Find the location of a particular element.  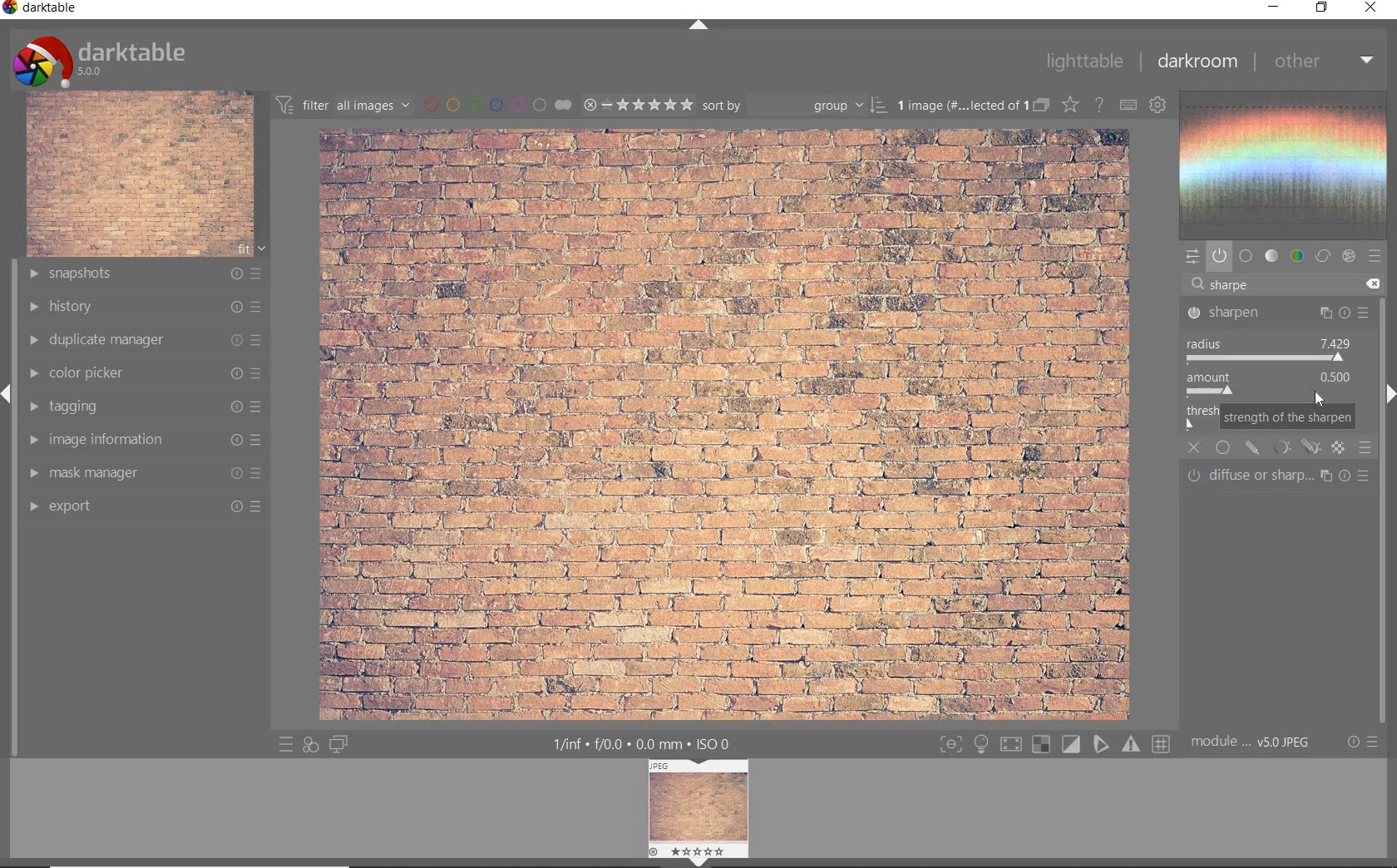

DIFFUSE OR SHARPENNING is located at coordinates (1281, 476).